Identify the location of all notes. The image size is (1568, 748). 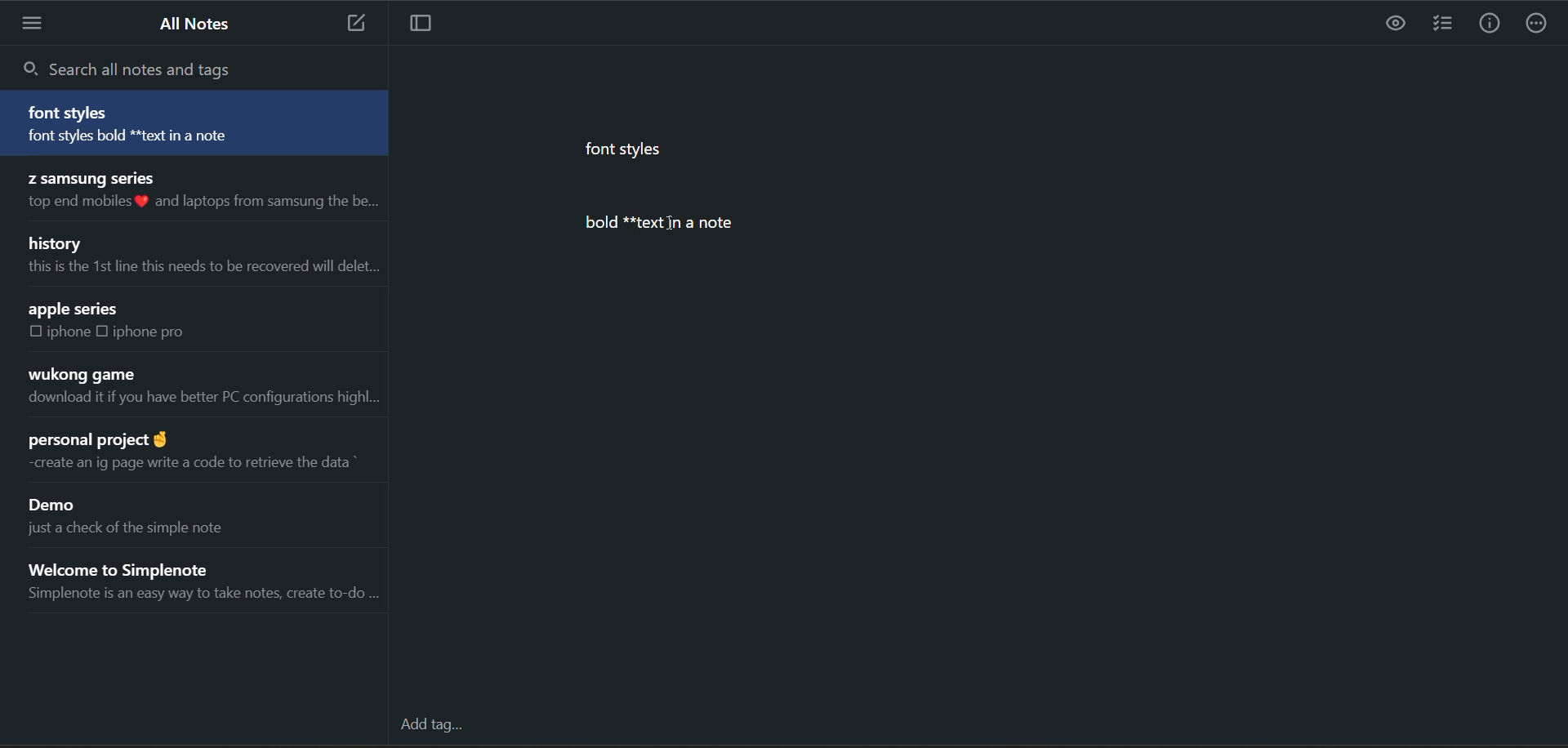
(198, 24).